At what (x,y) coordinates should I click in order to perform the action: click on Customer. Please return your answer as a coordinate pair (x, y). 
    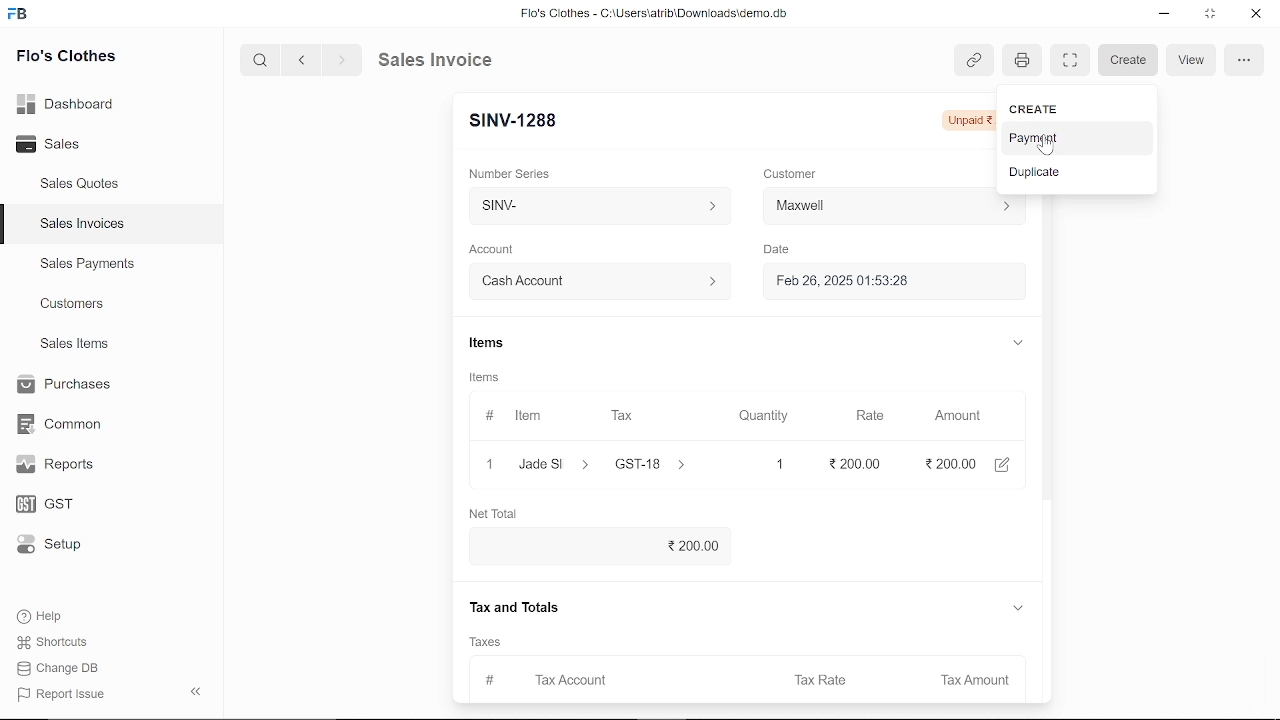
    Looking at the image, I should click on (896, 209).